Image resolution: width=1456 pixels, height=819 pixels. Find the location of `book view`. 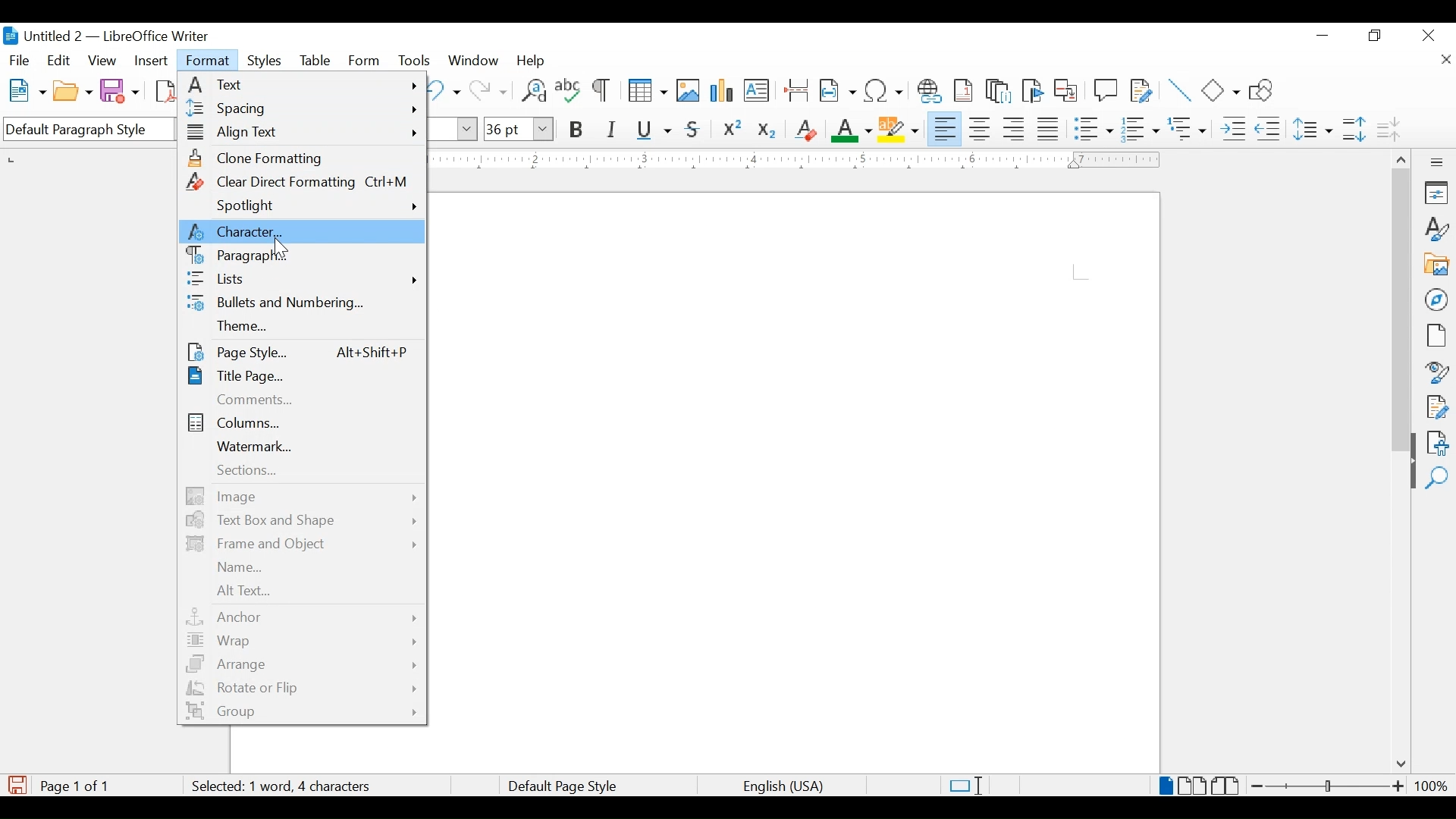

book view is located at coordinates (1228, 786).